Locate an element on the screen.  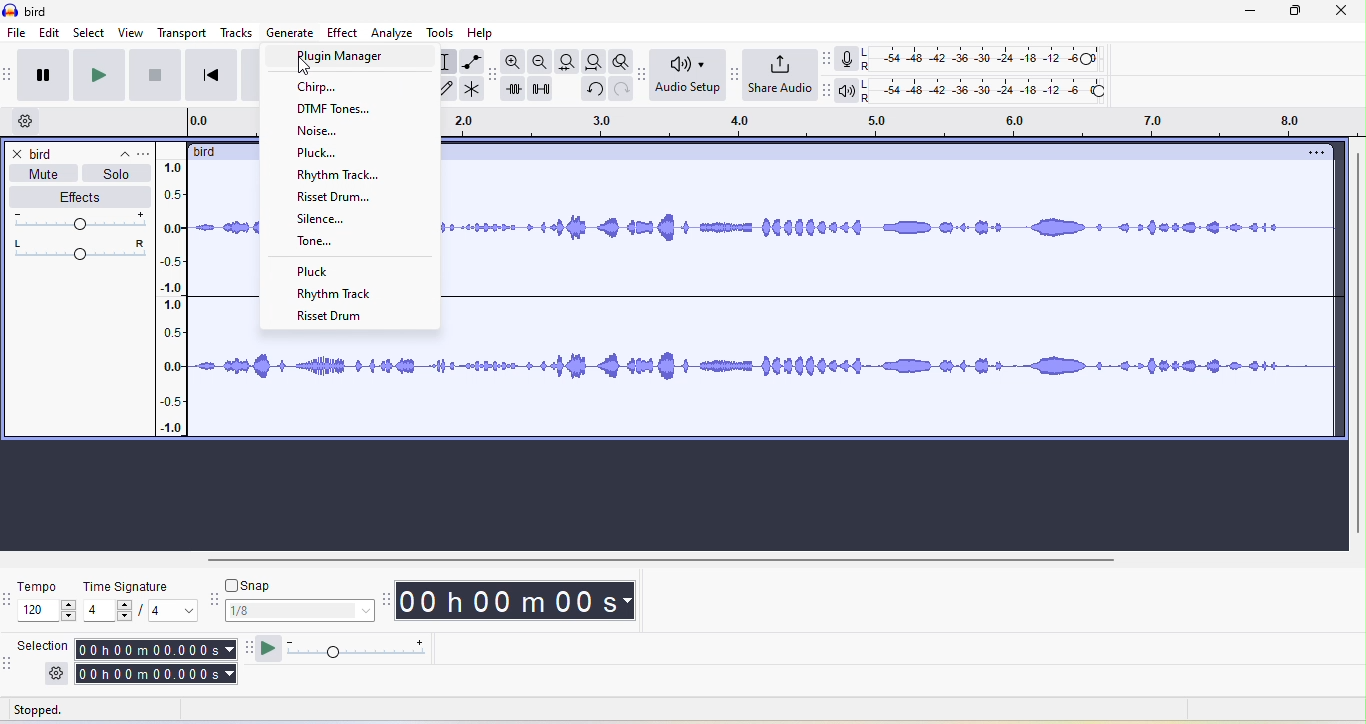
bird is located at coordinates (205, 151).